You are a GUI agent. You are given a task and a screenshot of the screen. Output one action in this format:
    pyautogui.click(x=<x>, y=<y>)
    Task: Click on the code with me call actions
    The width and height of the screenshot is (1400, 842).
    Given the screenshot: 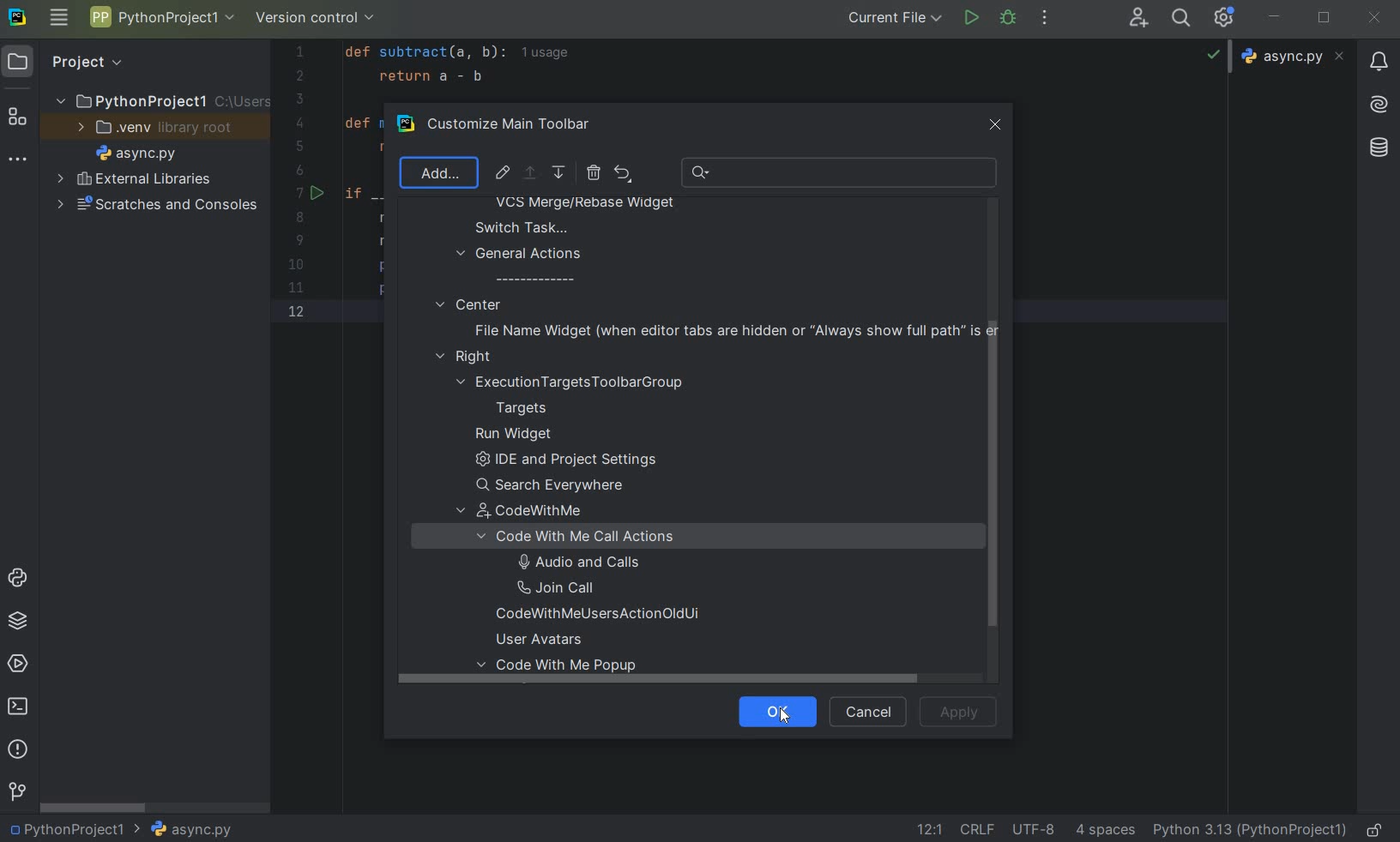 What is the action you would take?
    pyautogui.click(x=594, y=537)
    